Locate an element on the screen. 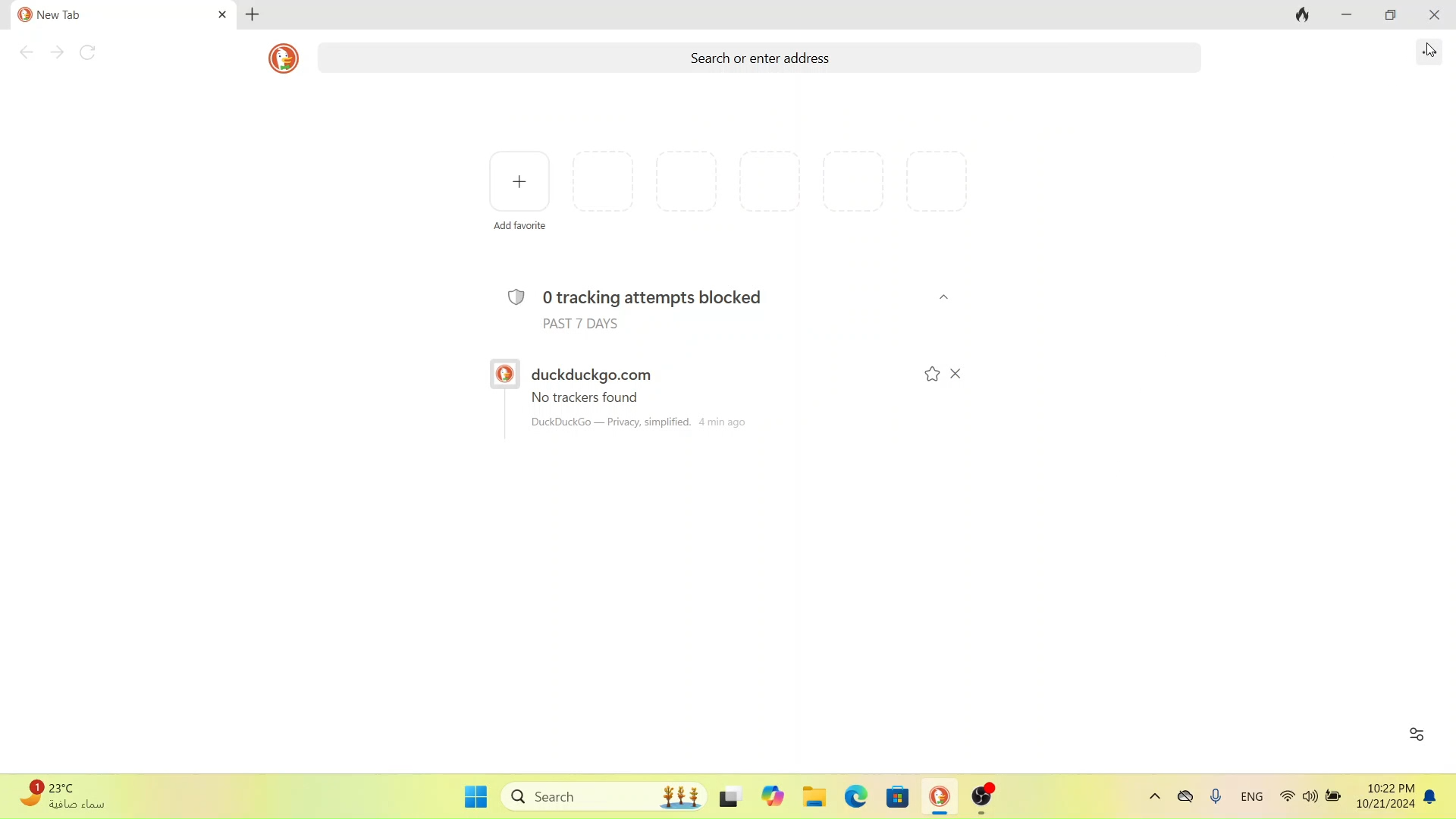  close is located at coordinates (1434, 14).